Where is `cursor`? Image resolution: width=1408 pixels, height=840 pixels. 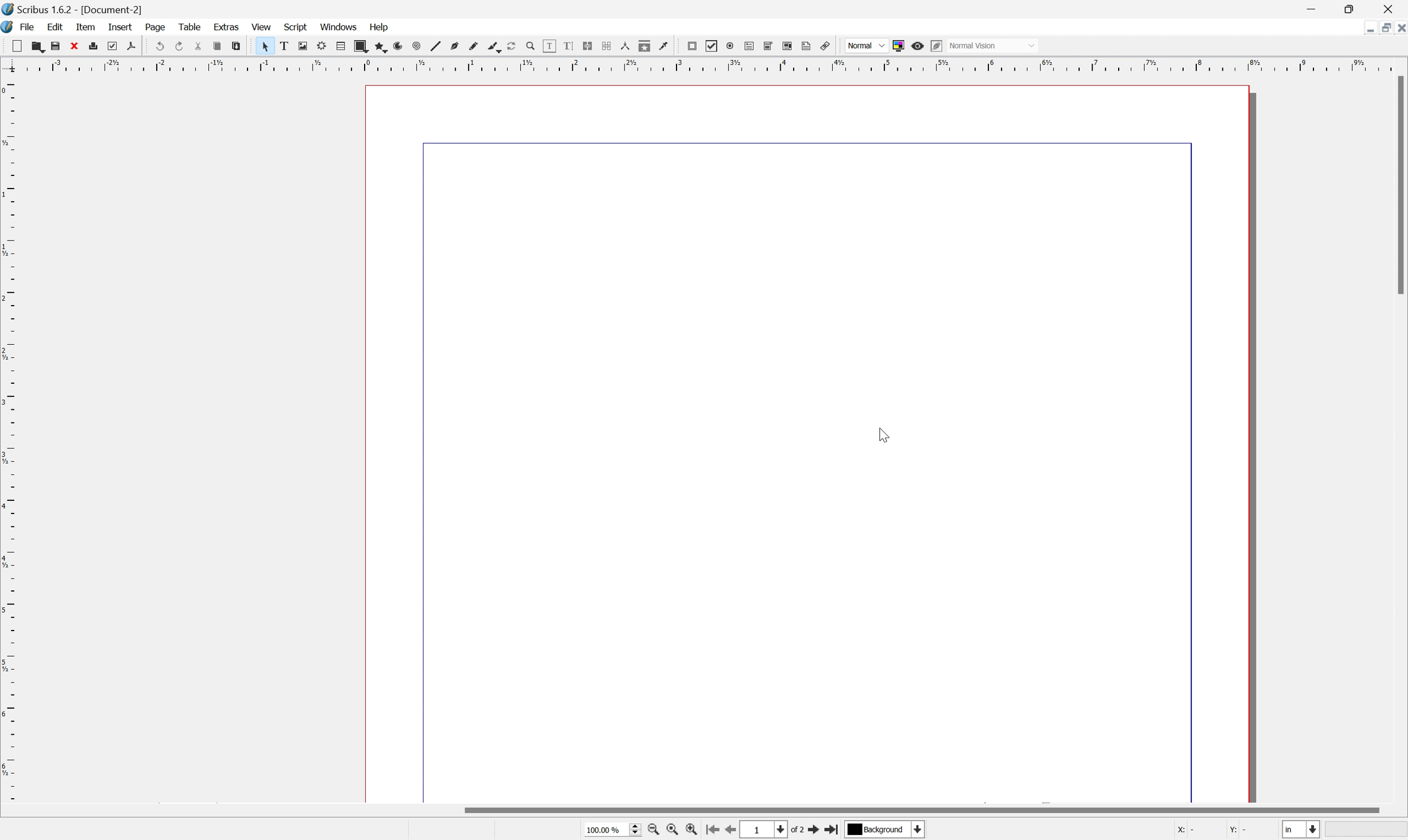 cursor is located at coordinates (883, 434).